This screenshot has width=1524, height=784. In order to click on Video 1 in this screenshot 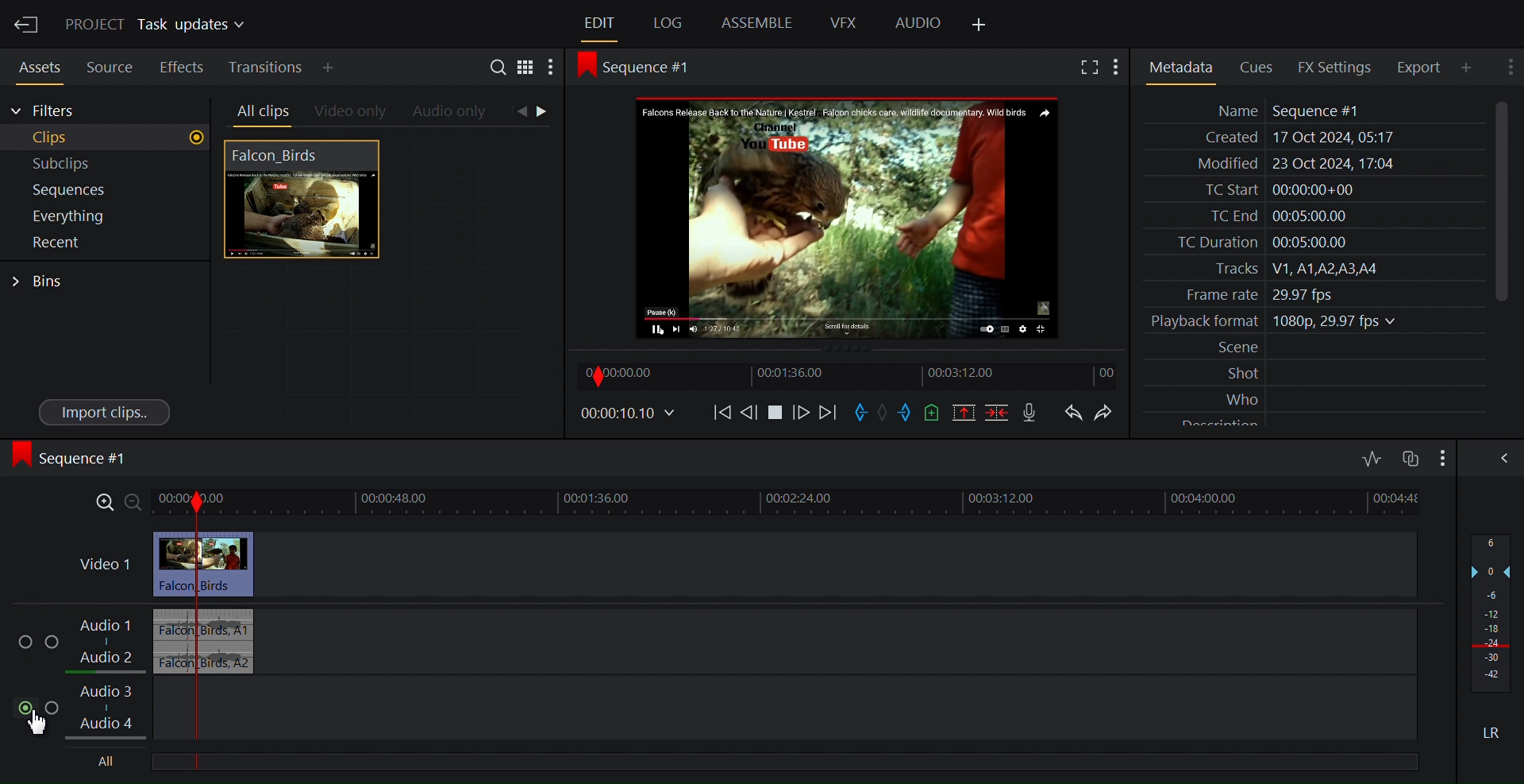, I will do `click(105, 564)`.